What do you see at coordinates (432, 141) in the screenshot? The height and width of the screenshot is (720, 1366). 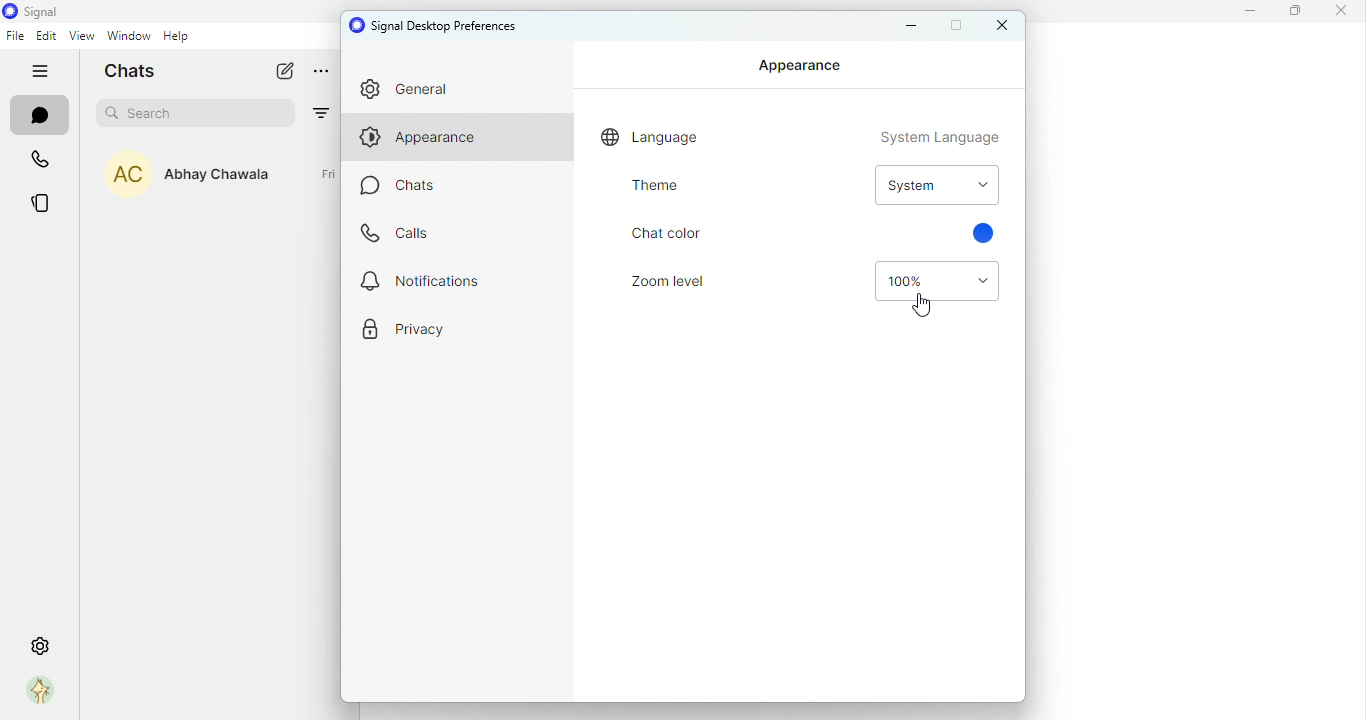 I see `appearance` at bounding box center [432, 141].